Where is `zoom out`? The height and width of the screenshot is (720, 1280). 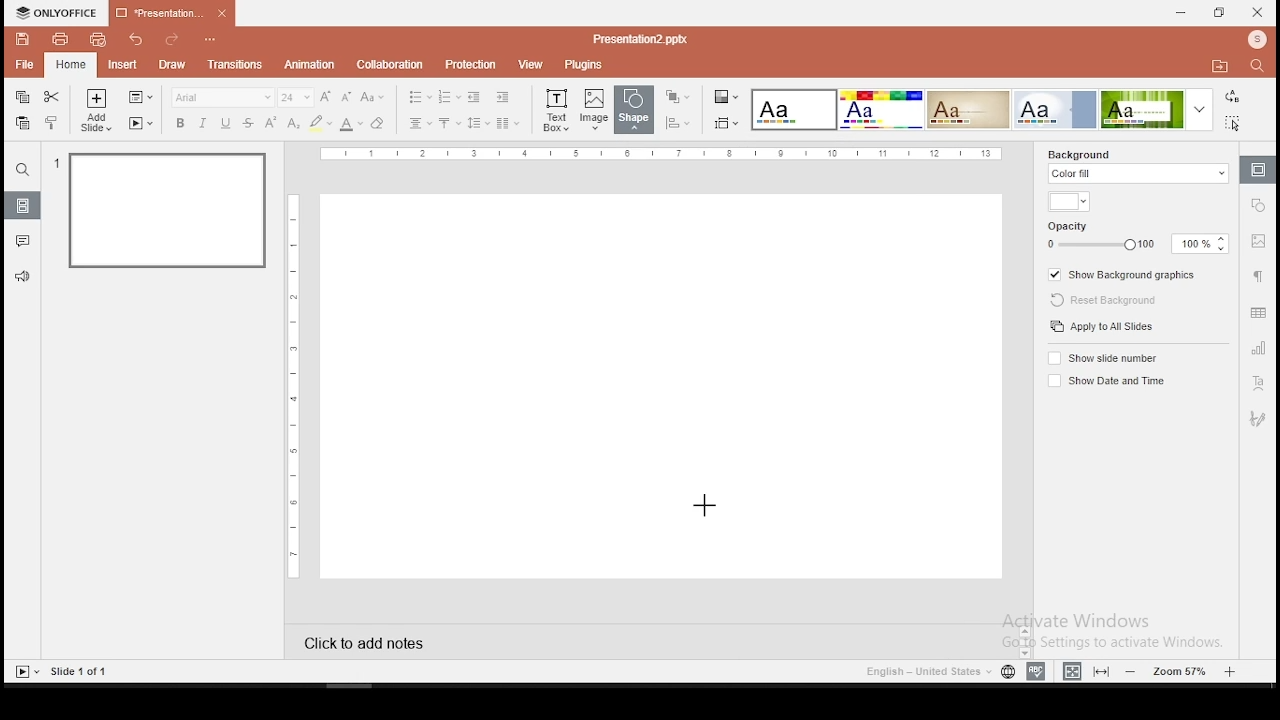 zoom out is located at coordinates (1134, 671).